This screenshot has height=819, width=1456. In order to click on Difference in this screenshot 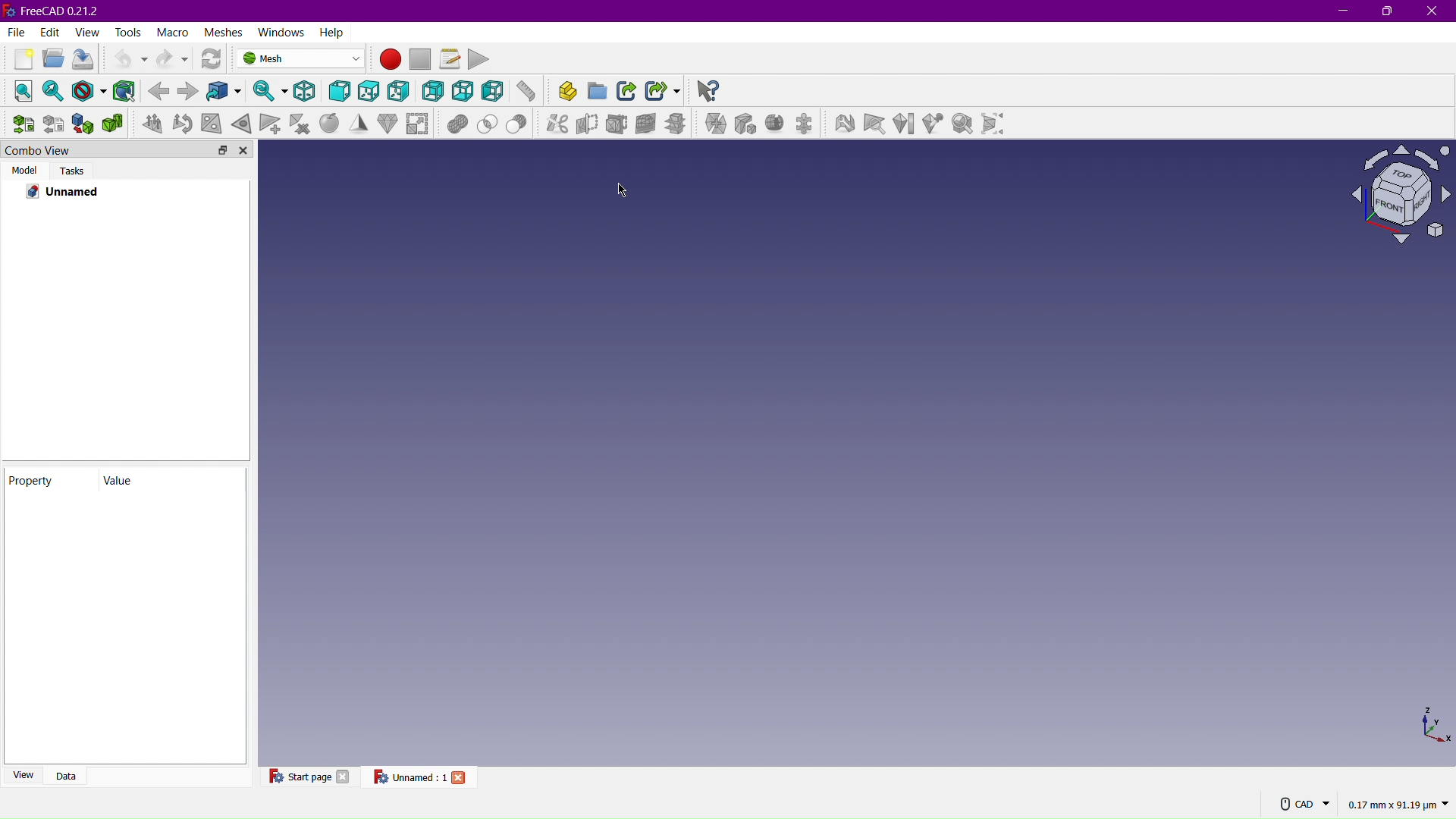, I will do `click(520, 122)`.